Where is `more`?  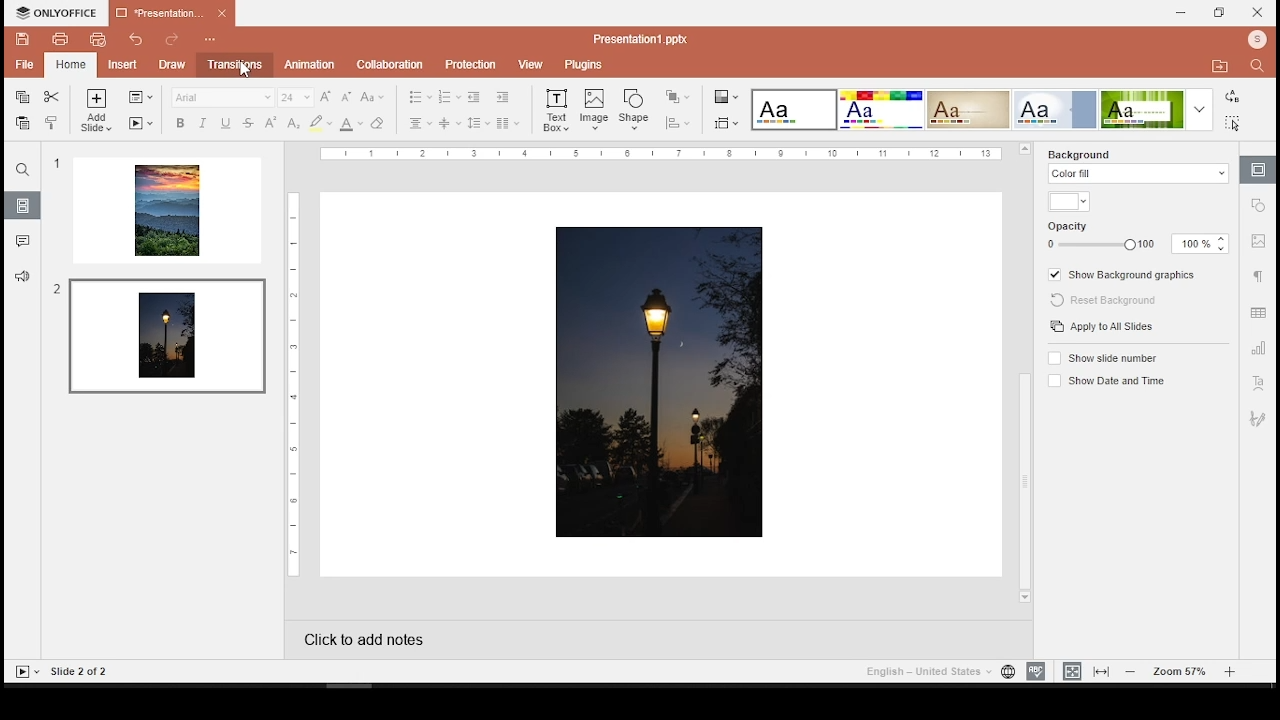 more is located at coordinates (1200, 110).